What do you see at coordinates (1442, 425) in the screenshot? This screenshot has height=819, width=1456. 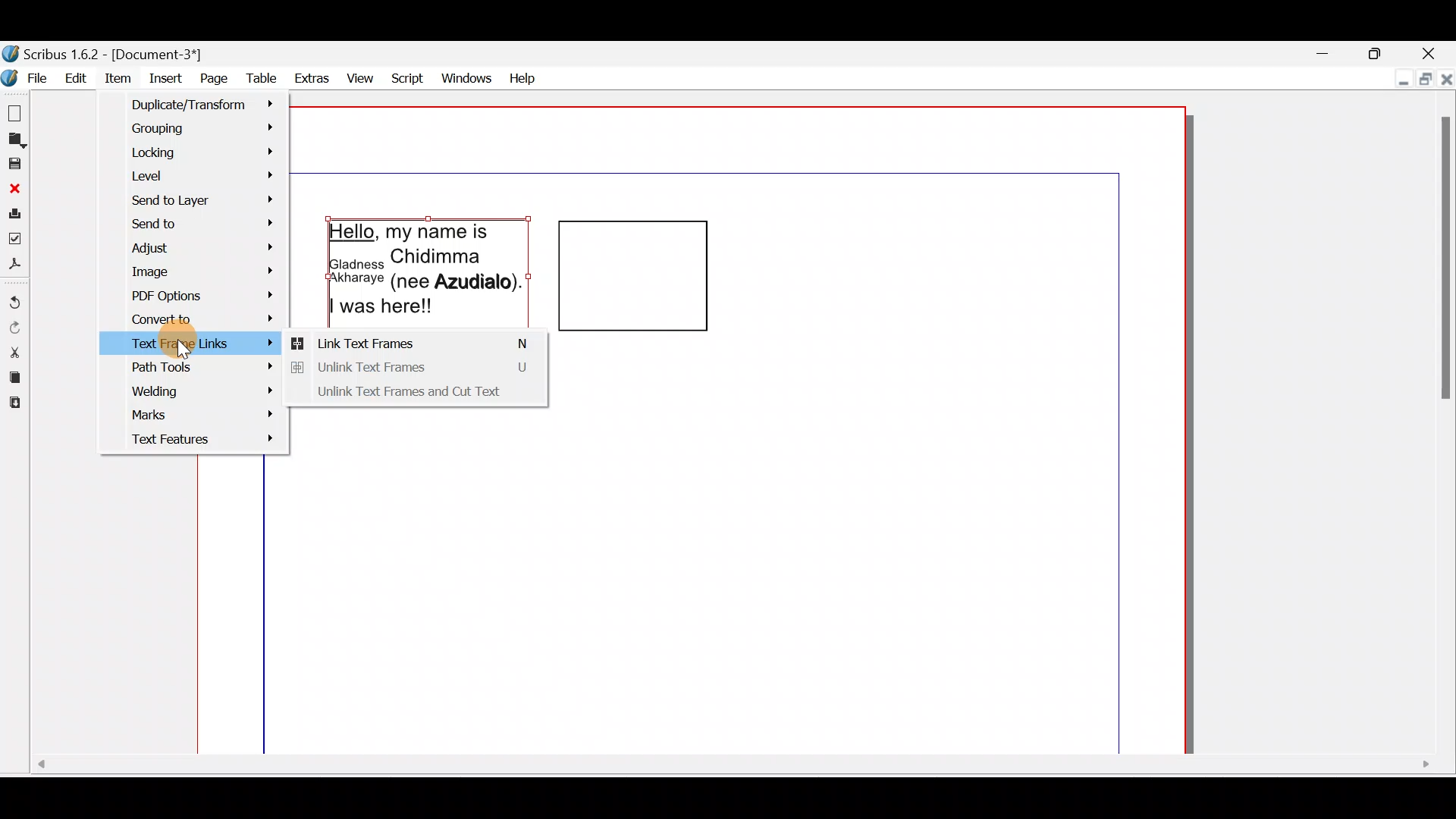 I see `Scroll bar` at bounding box center [1442, 425].